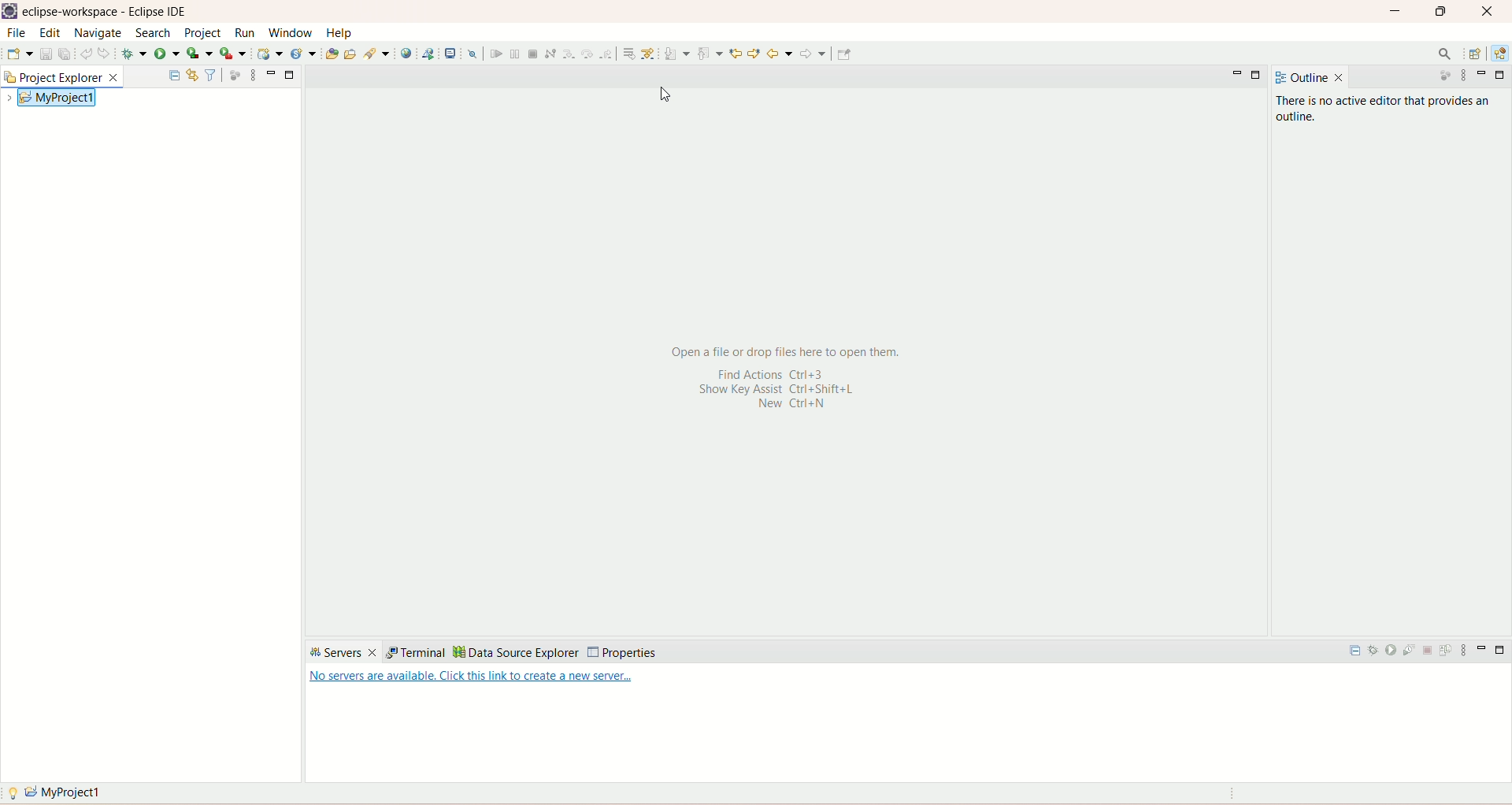  I want to click on text, so click(472, 680).